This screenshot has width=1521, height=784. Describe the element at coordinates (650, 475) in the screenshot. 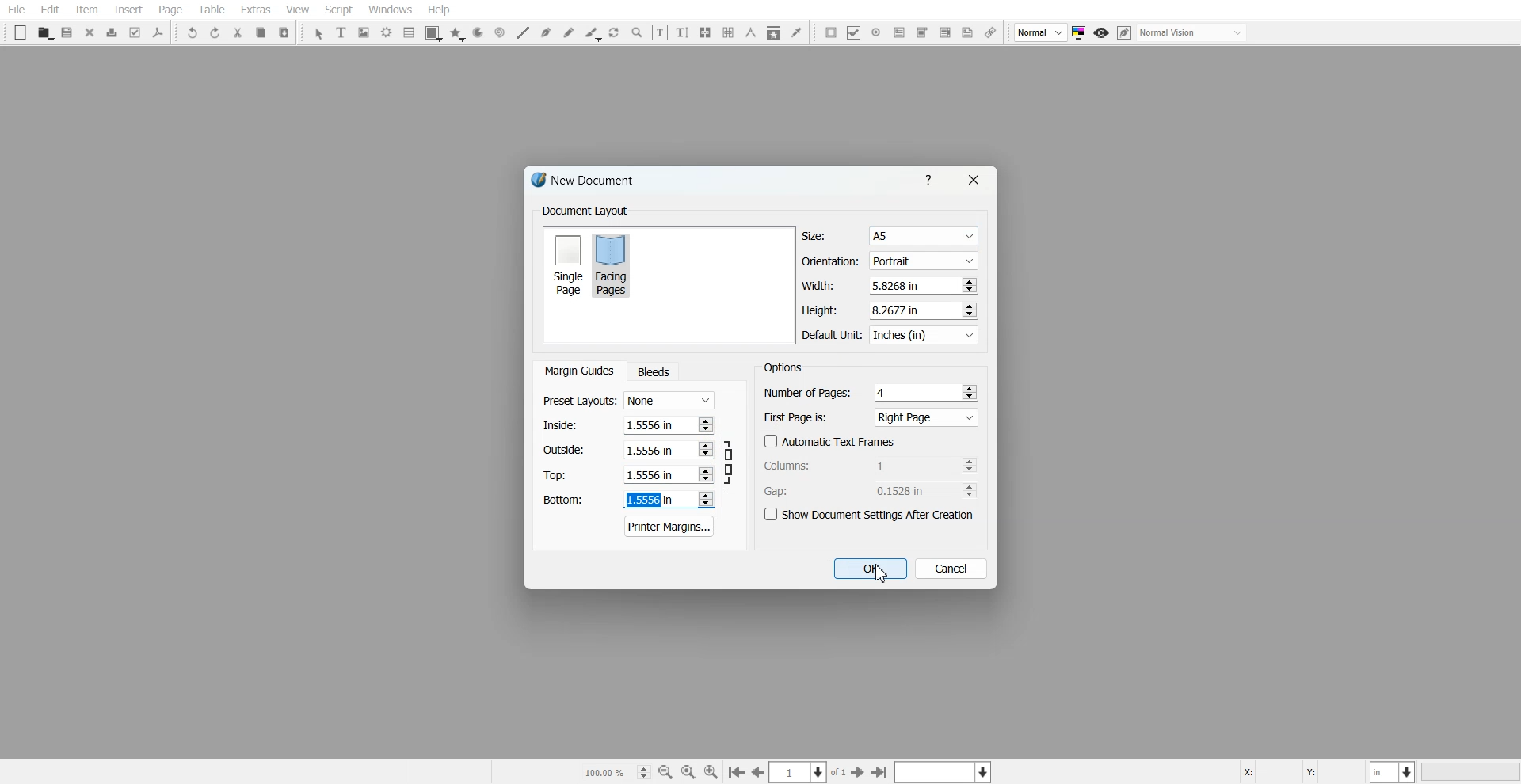

I see `1.5556 in` at that location.